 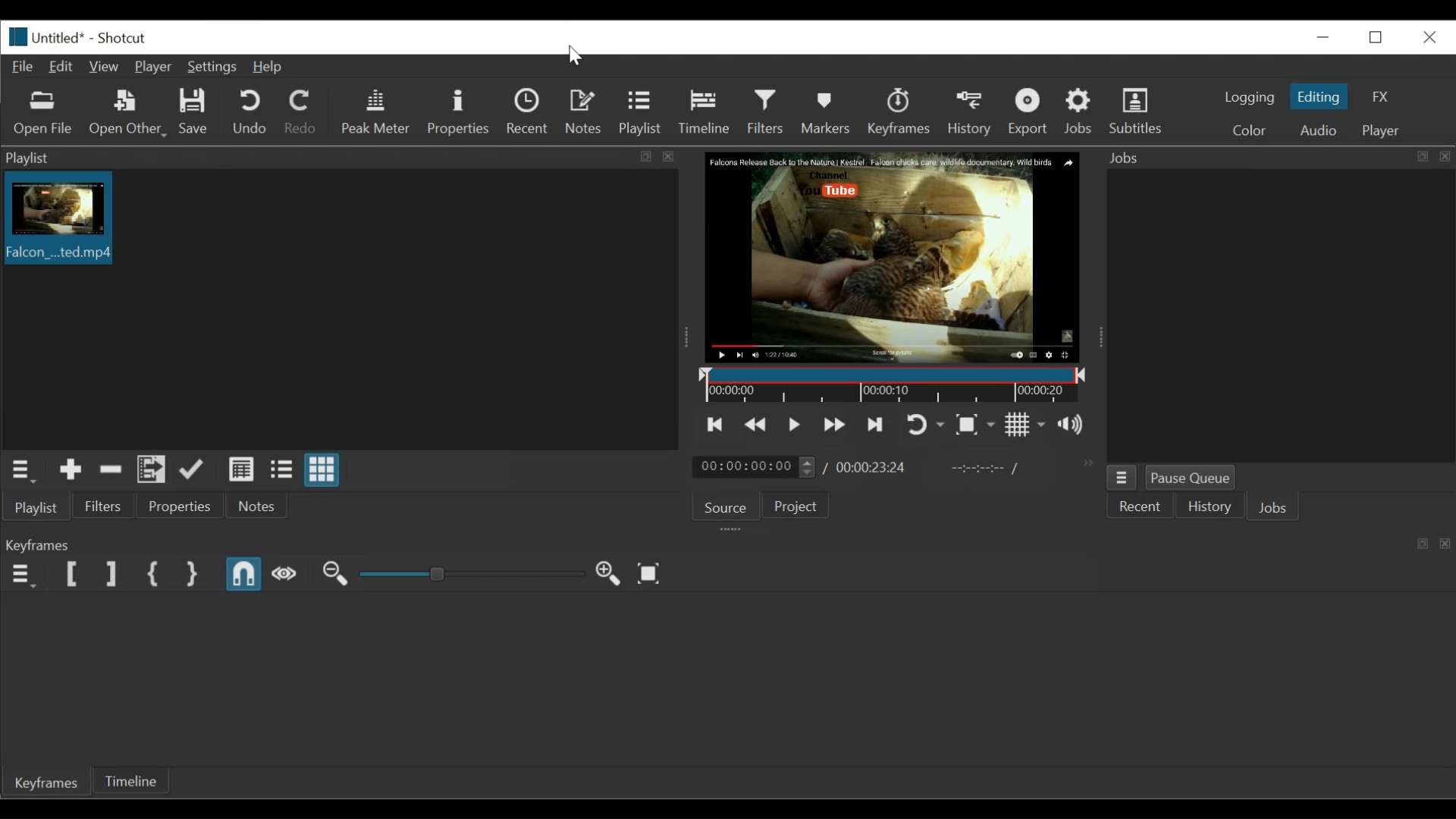 What do you see at coordinates (190, 472) in the screenshot?
I see `Update` at bounding box center [190, 472].